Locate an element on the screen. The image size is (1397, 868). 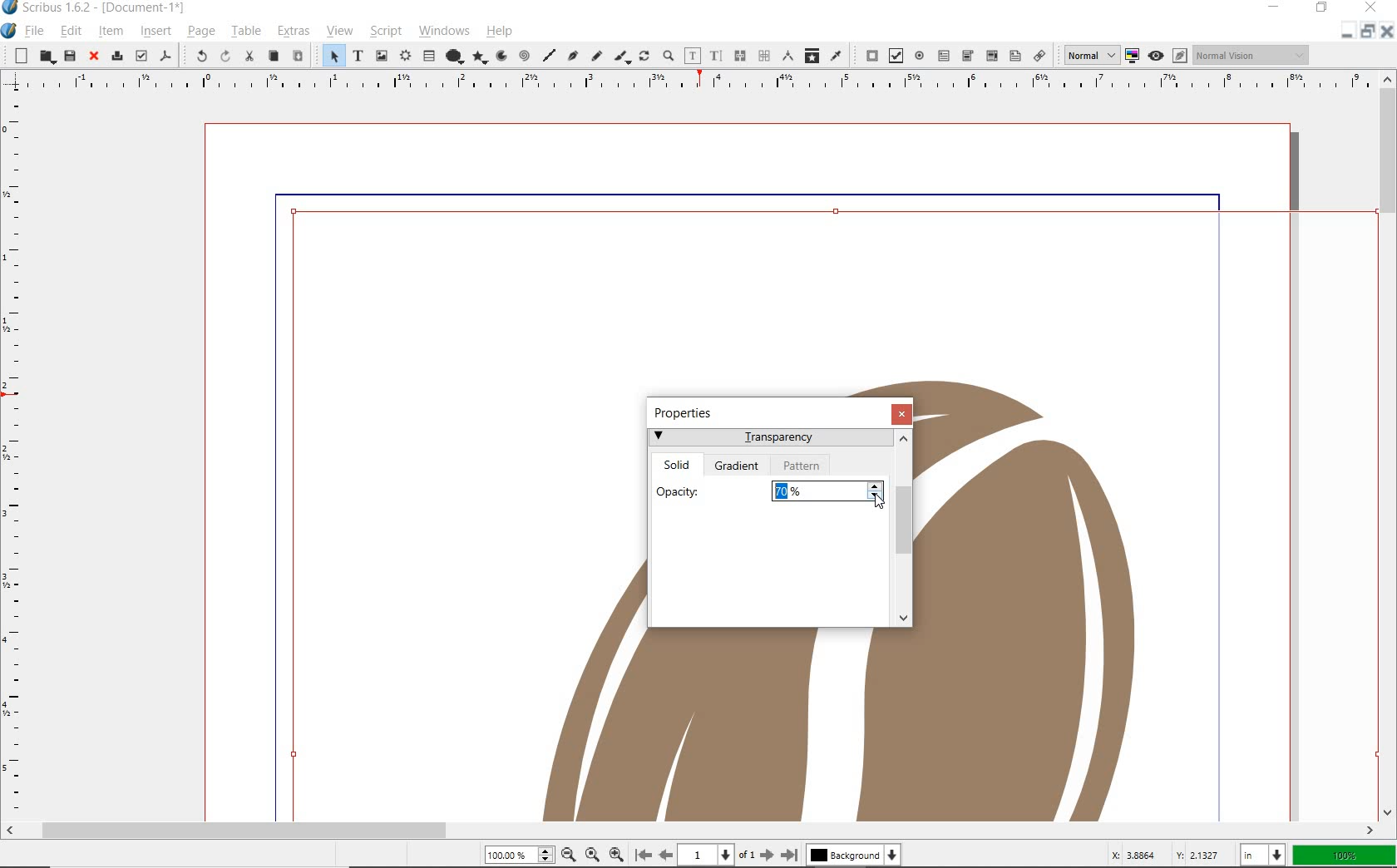
rotate item is located at coordinates (644, 55).